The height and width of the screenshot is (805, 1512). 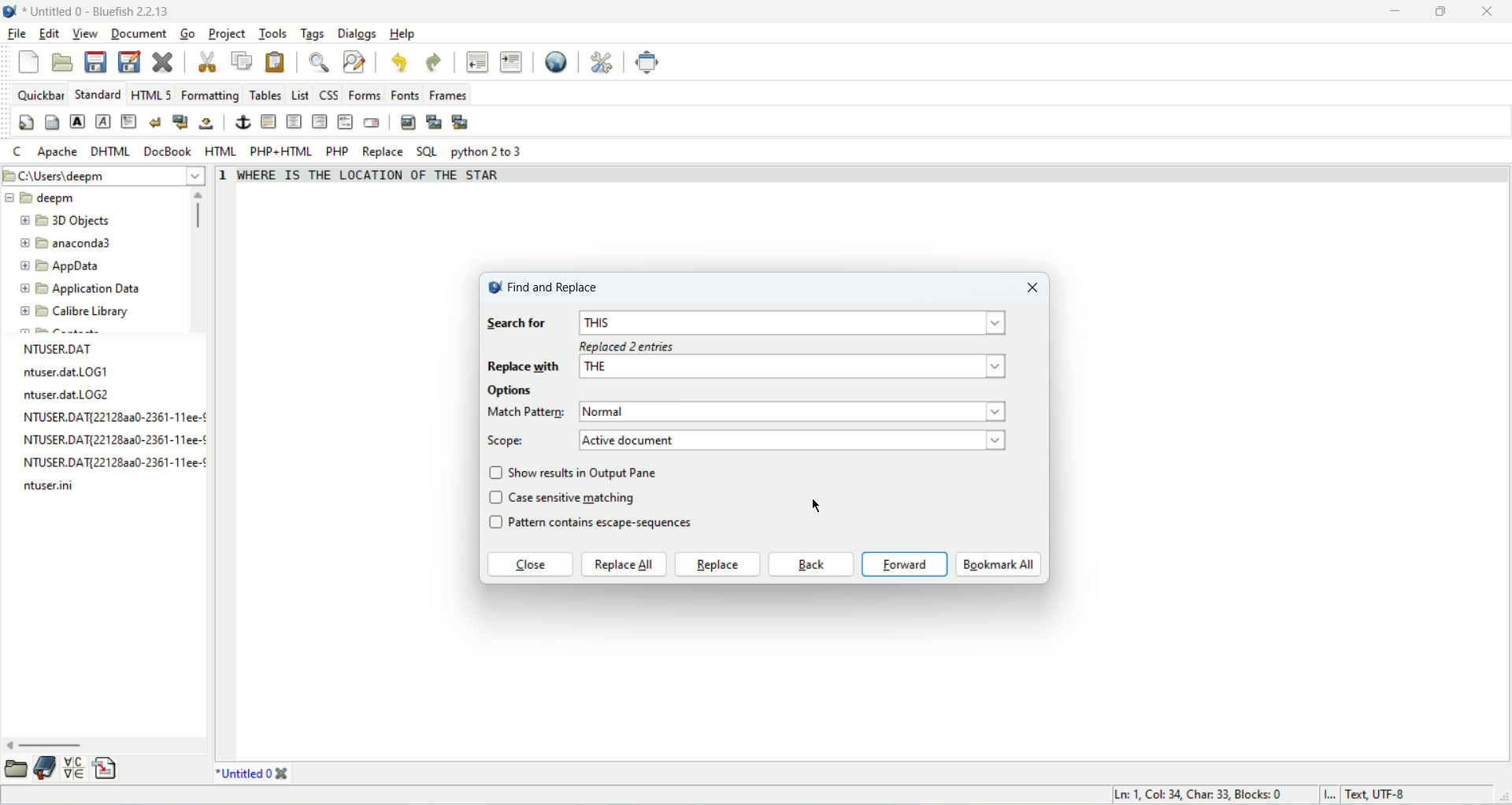 What do you see at coordinates (434, 63) in the screenshot?
I see `redo` at bounding box center [434, 63].